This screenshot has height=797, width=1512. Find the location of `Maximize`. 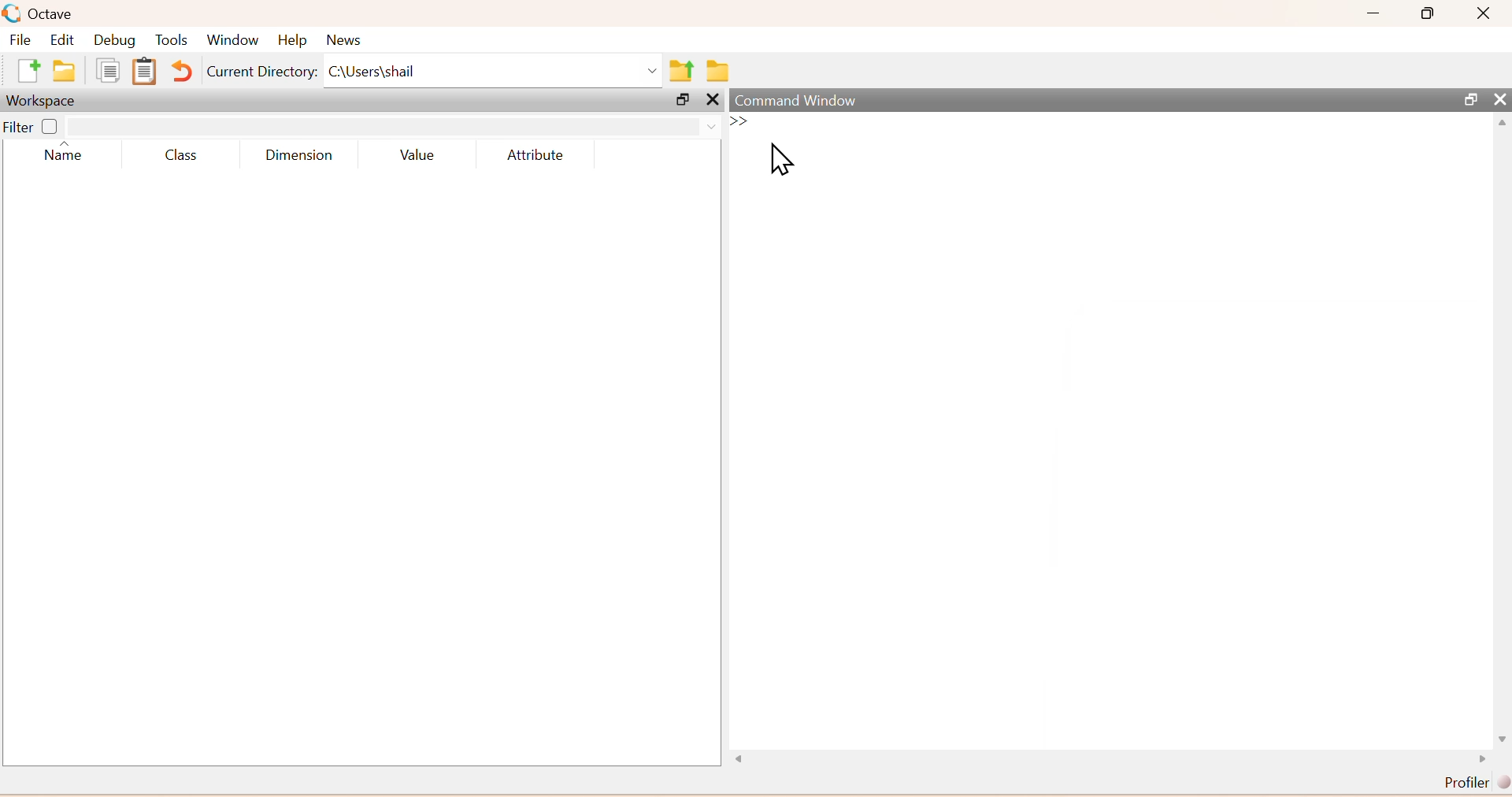

Maximize is located at coordinates (1468, 99).